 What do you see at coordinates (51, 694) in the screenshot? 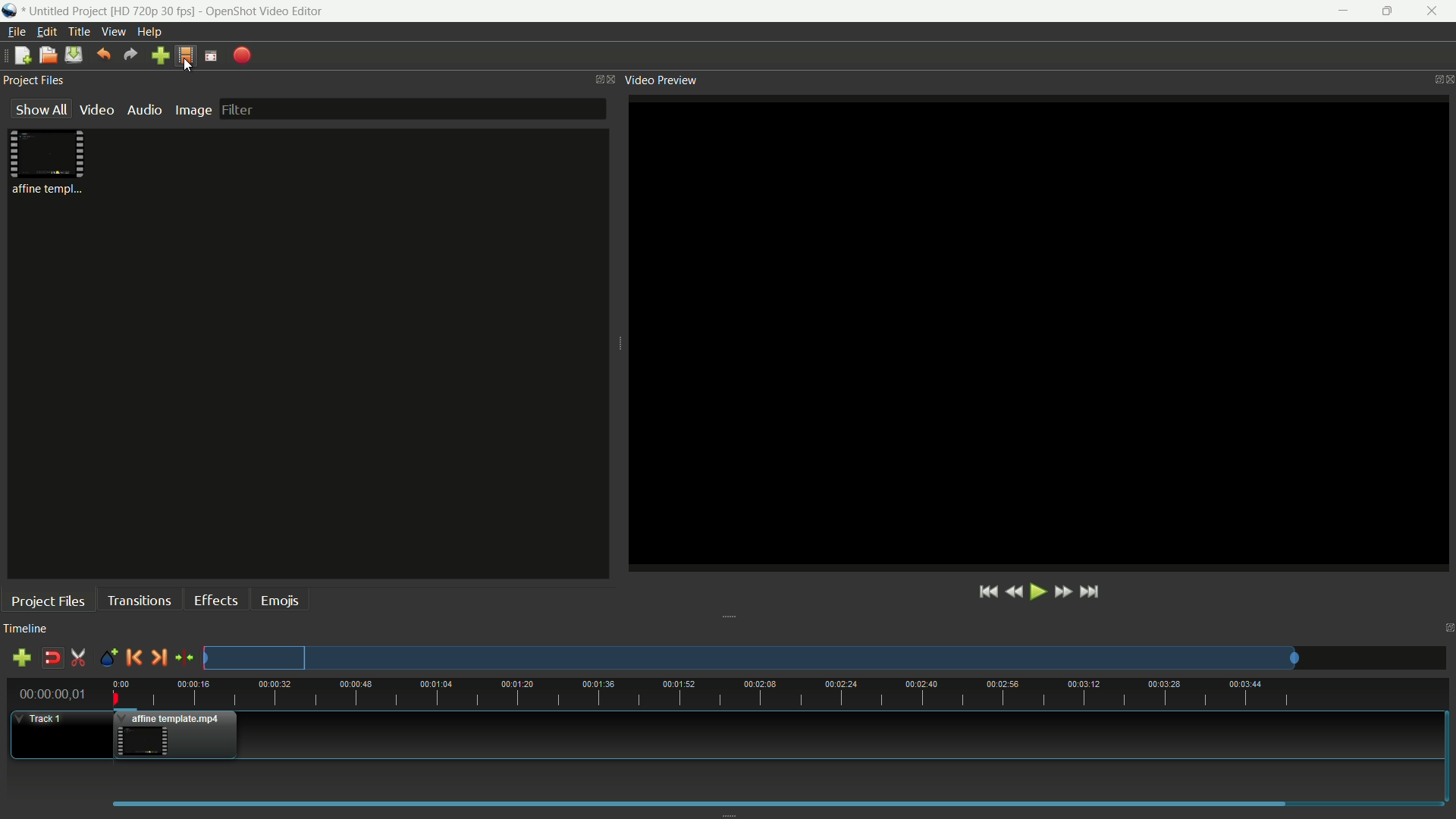
I see `current time` at bounding box center [51, 694].